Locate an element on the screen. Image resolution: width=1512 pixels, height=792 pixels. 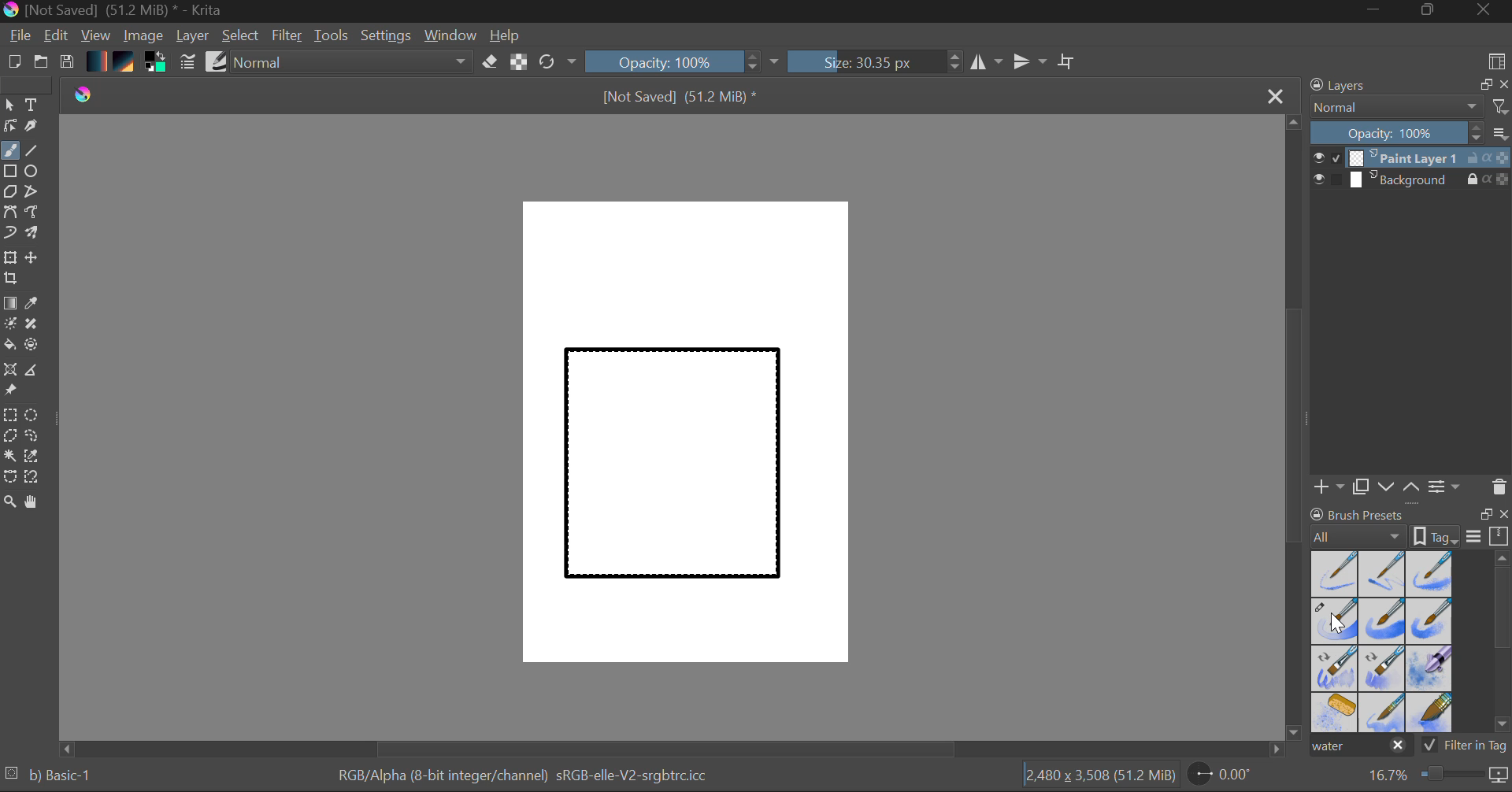
Edit Shapes is located at coordinates (9, 128).